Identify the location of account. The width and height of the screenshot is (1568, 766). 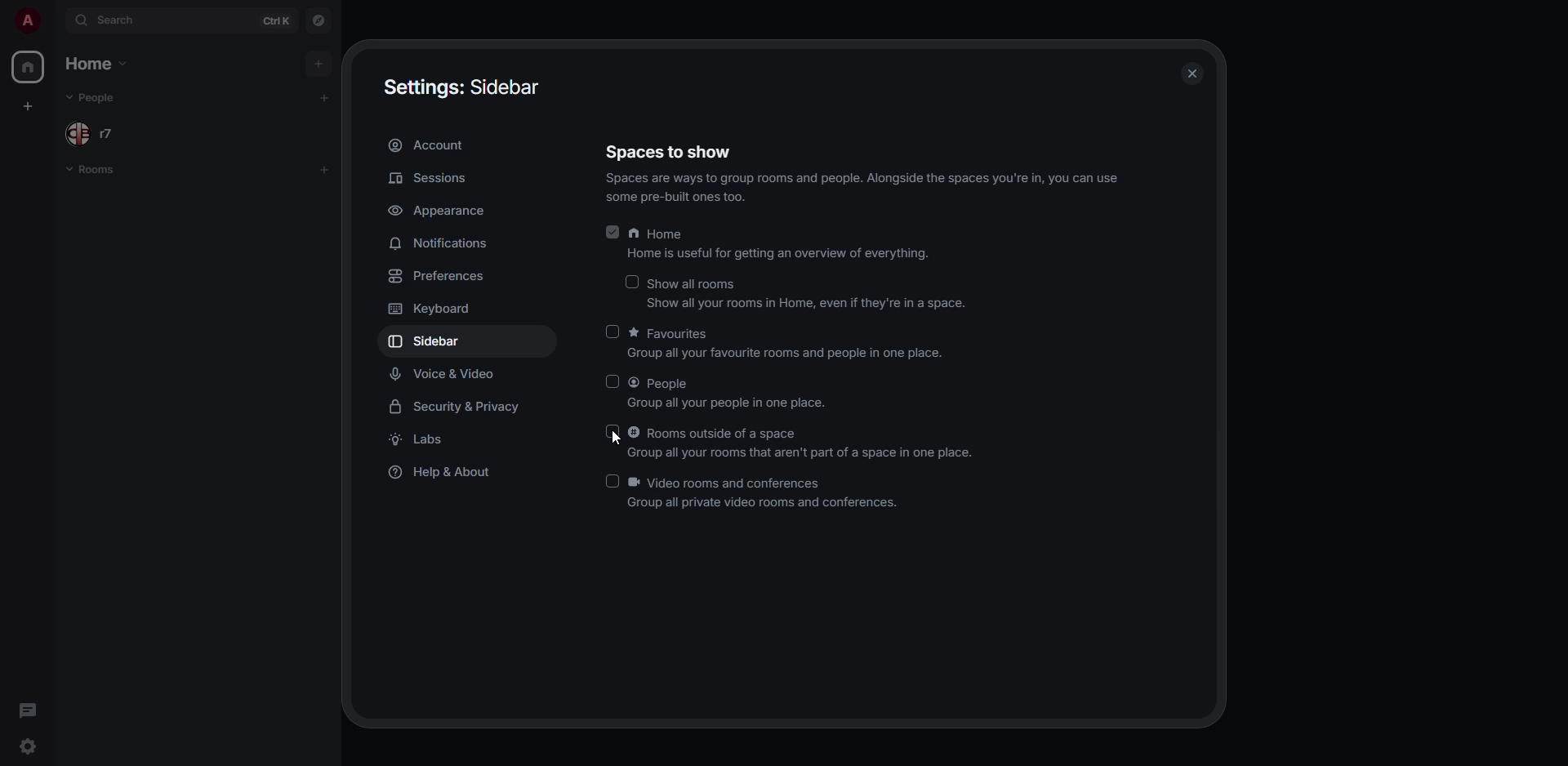
(430, 145).